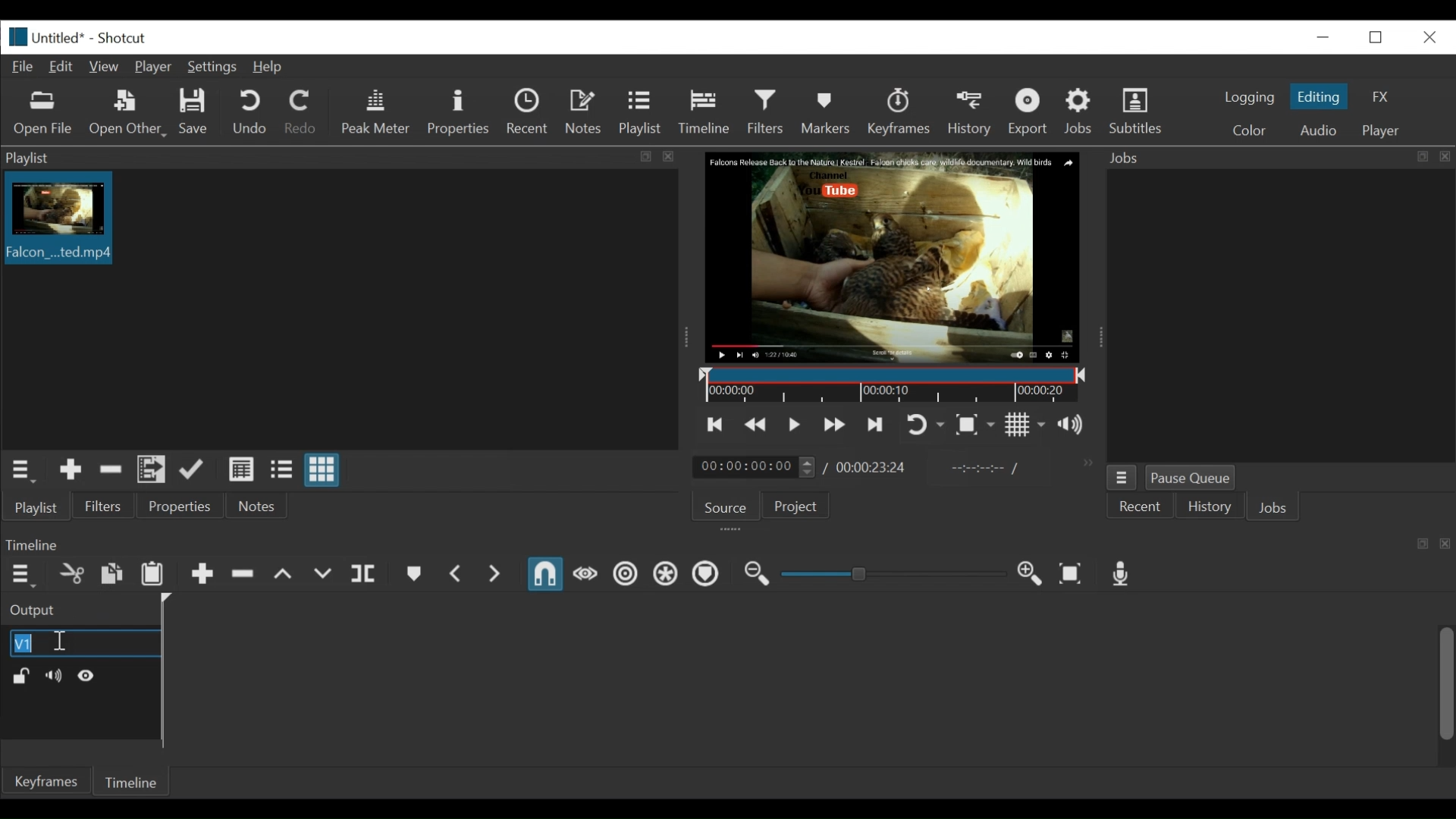 This screenshot has height=819, width=1456. Describe the element at coordinates (322, 472) in the screenshot. I see `View as icons` at that location.